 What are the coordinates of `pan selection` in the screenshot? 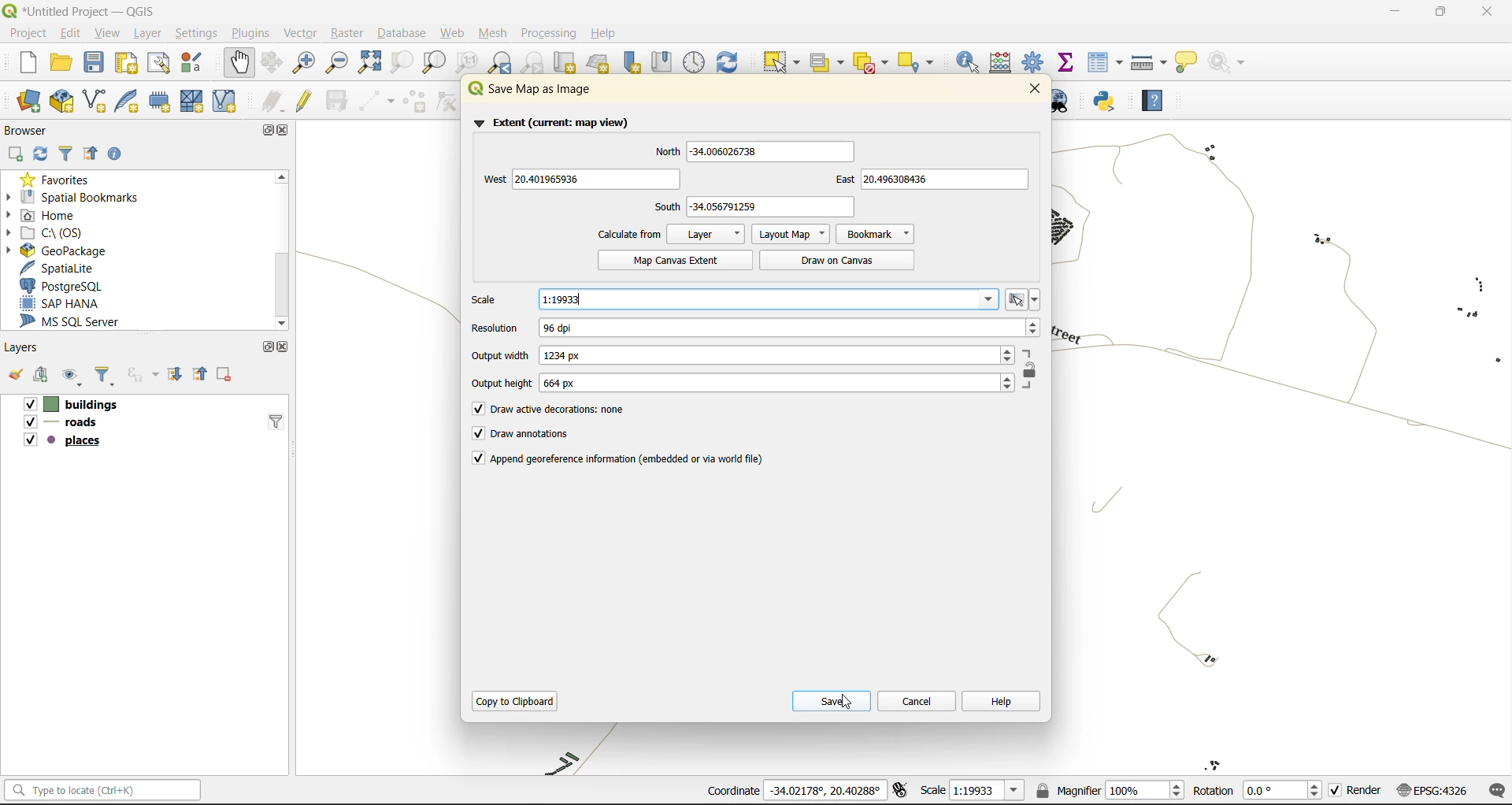 It's located at (273, 62).